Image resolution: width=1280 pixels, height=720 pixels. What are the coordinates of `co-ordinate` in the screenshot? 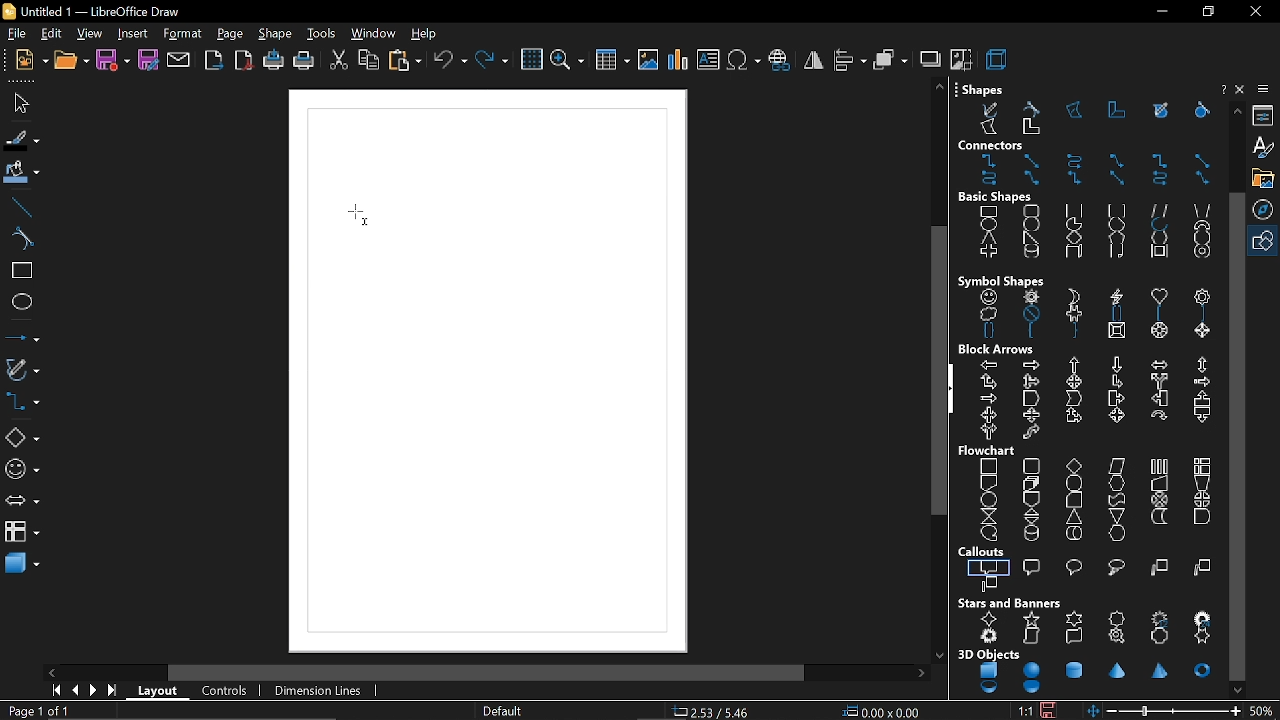 It's located at (718, 712).